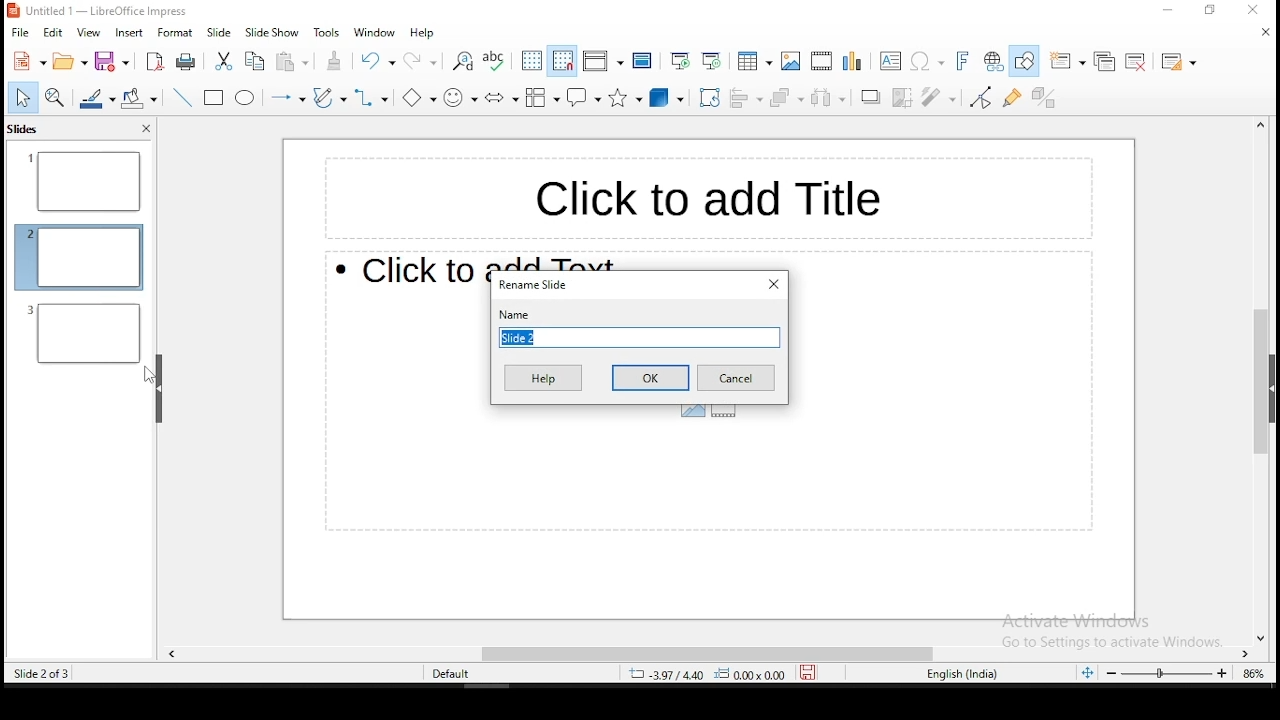 This screenshot has width=1280, height=720. I want to click on slide 2 (current slide), so click(79, 255).